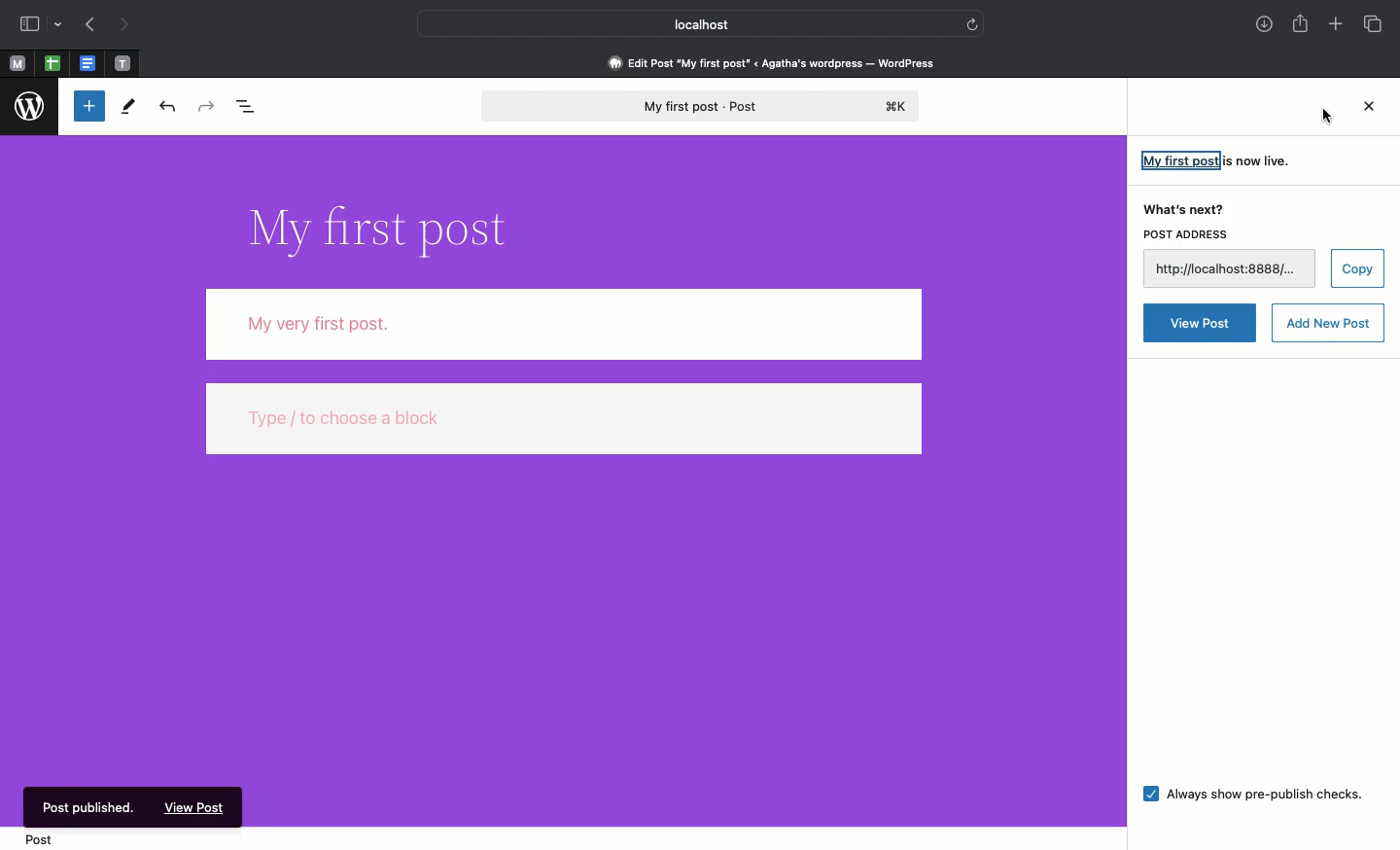  What do you see at coordinates (1376, 24) in the screenshot?
I see `Tabs` at bounding box center [1376, 24].